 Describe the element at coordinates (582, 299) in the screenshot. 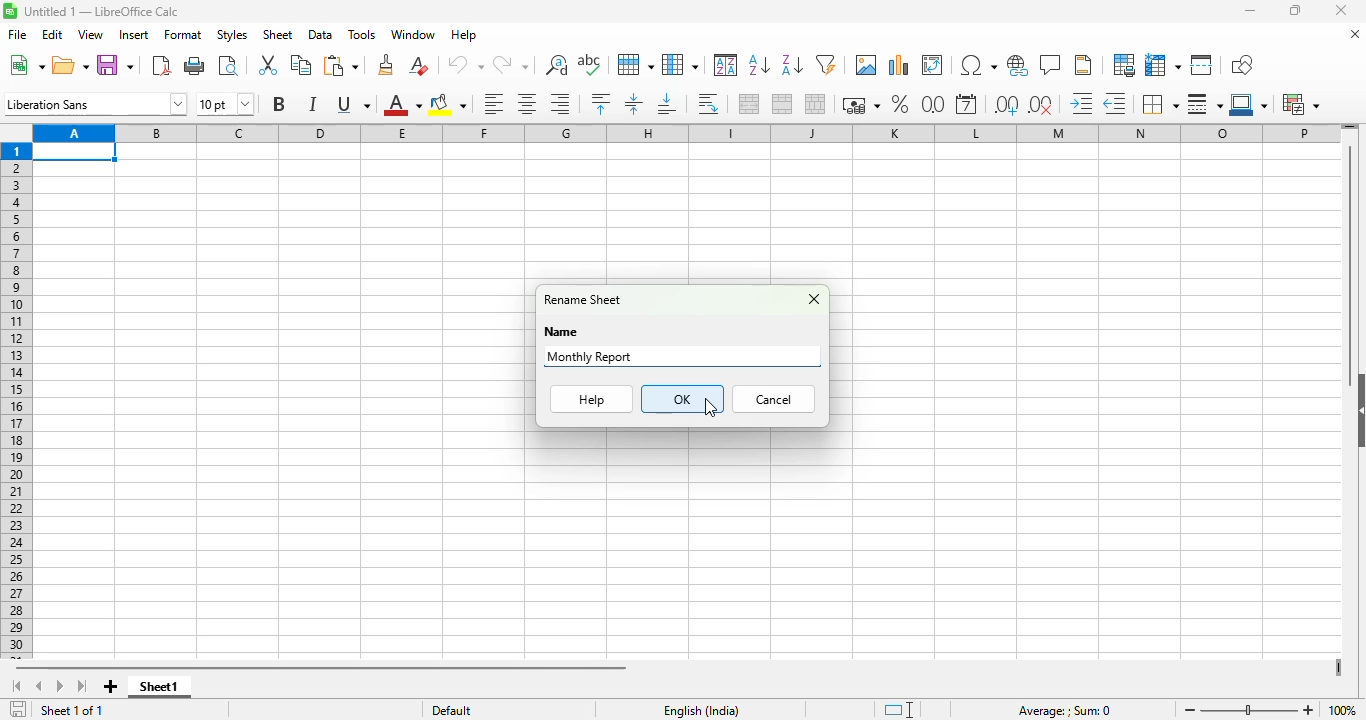

I see `rename sheet` at that location.